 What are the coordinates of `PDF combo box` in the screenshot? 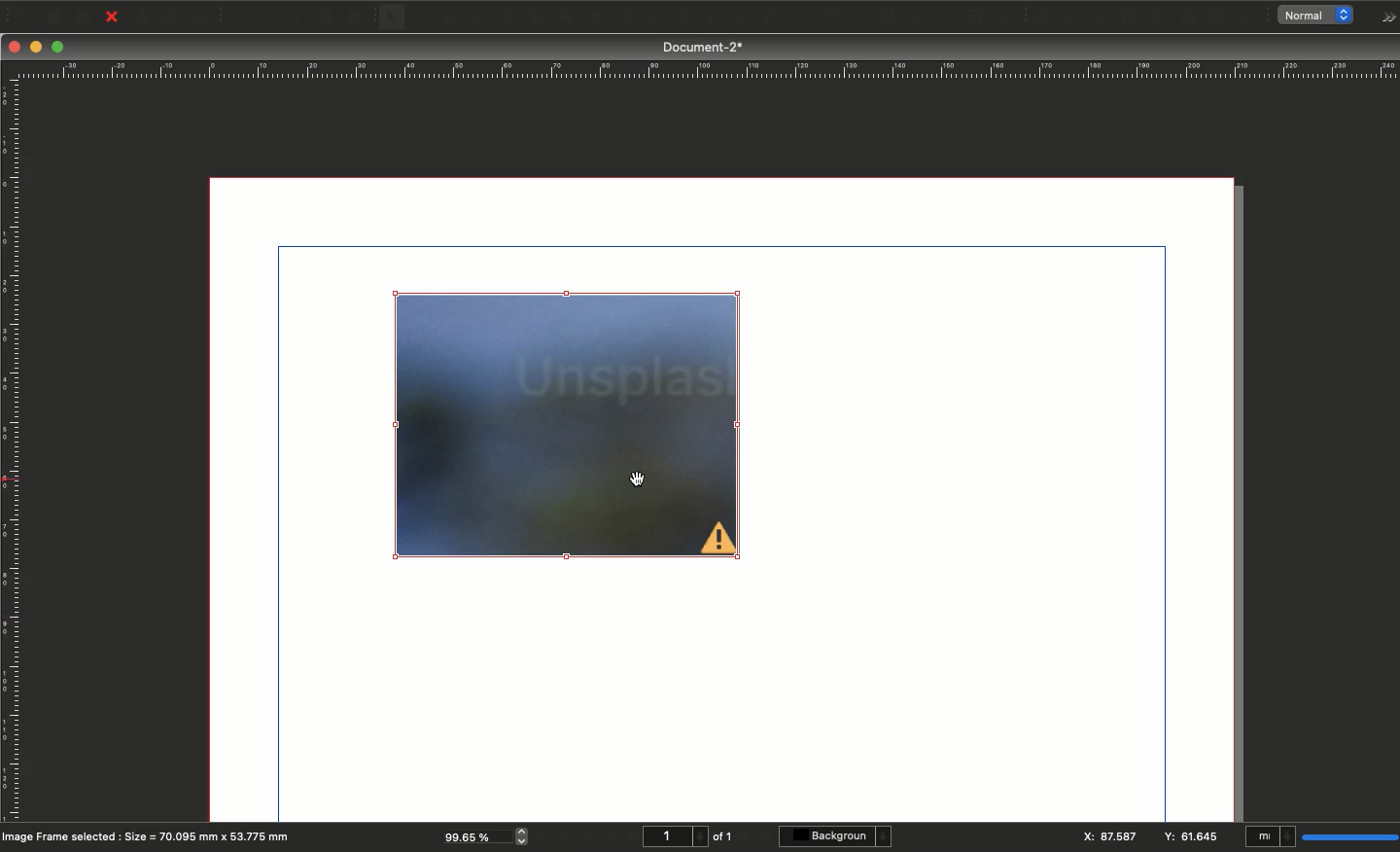 It's located at (1157, 18).